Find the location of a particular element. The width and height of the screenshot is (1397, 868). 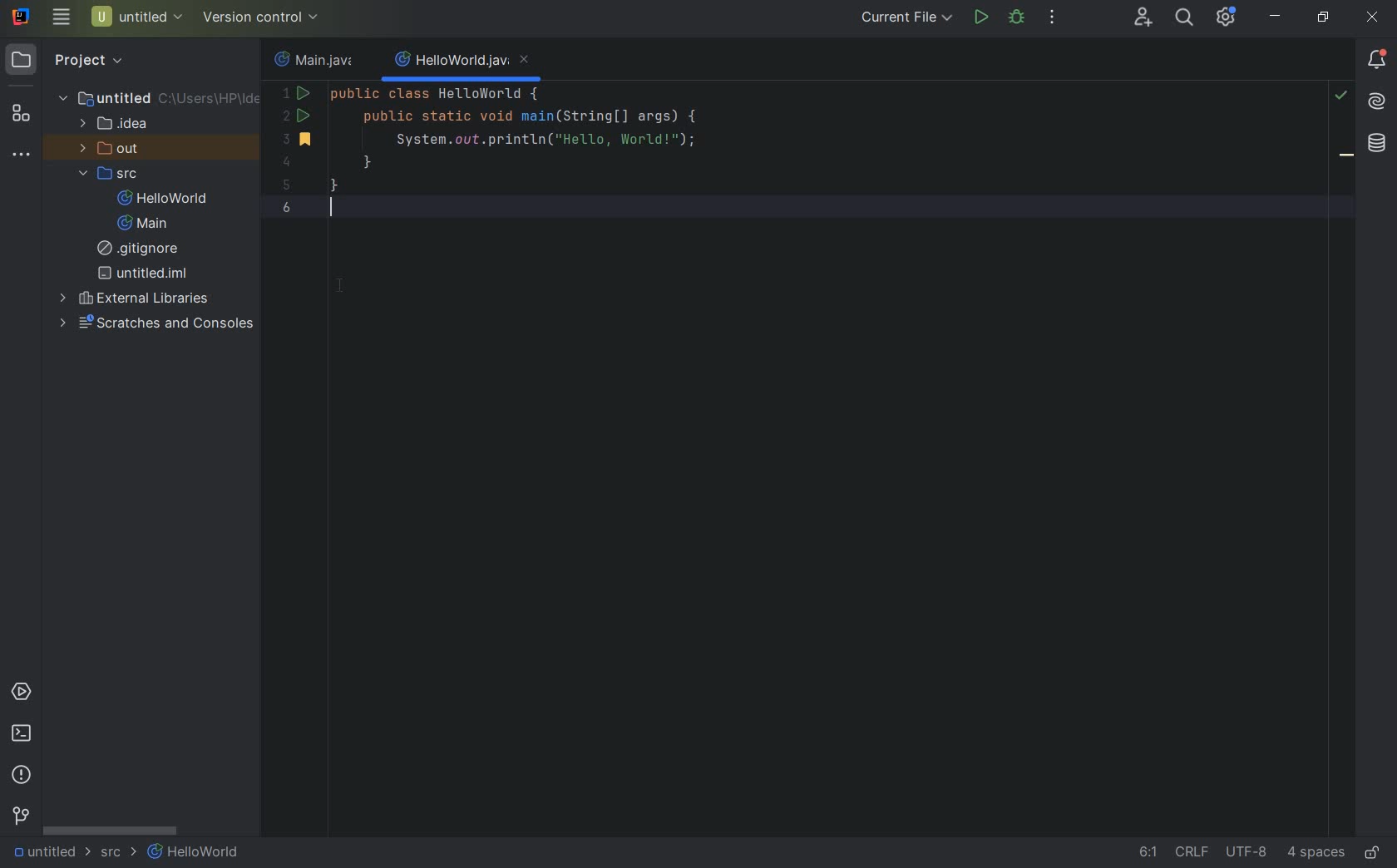

indent is located at coordinates (1316, 855).